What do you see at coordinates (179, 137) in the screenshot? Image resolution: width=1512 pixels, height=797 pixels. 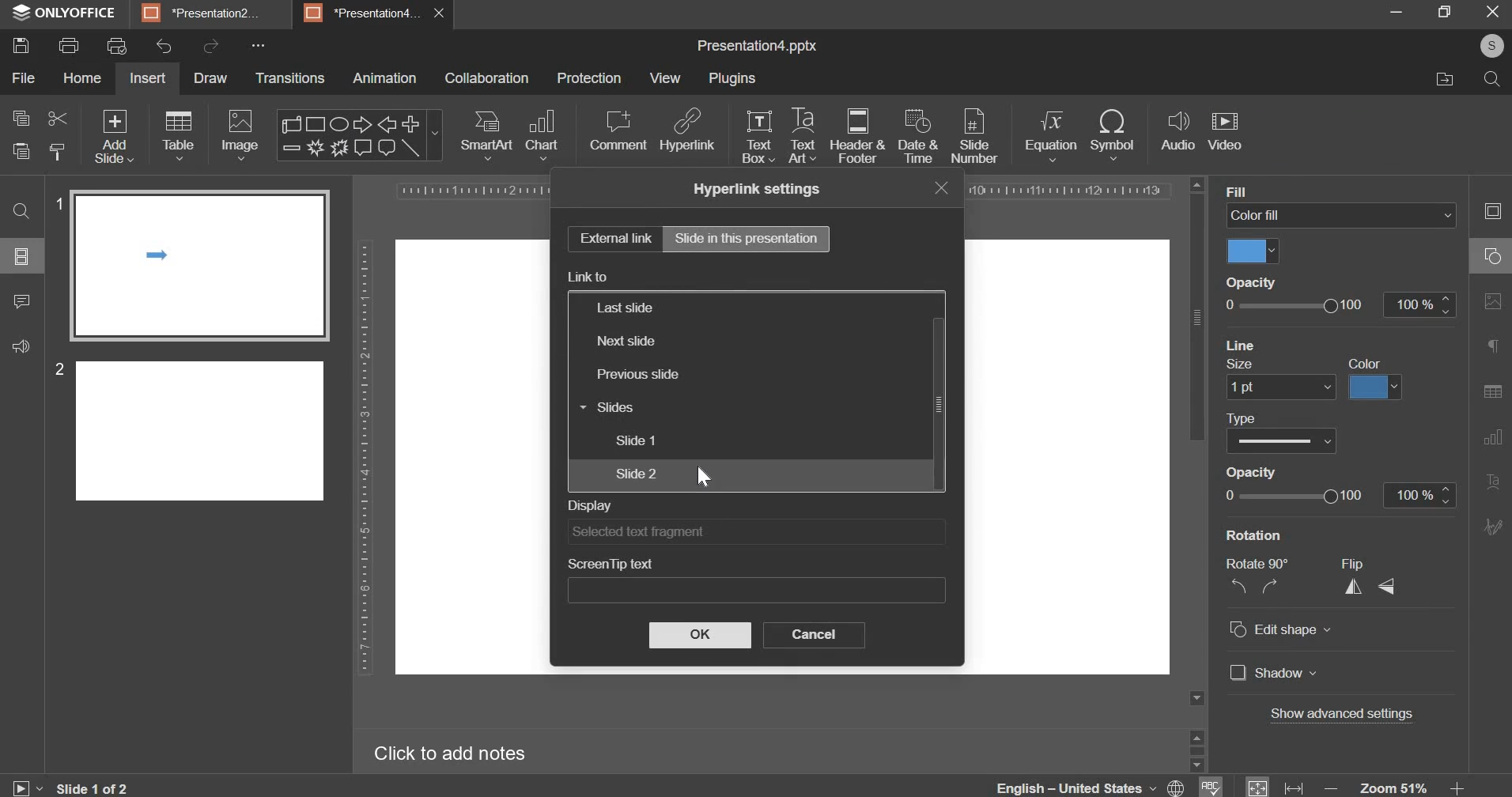 I see `table` at bounding box center [179, 137].